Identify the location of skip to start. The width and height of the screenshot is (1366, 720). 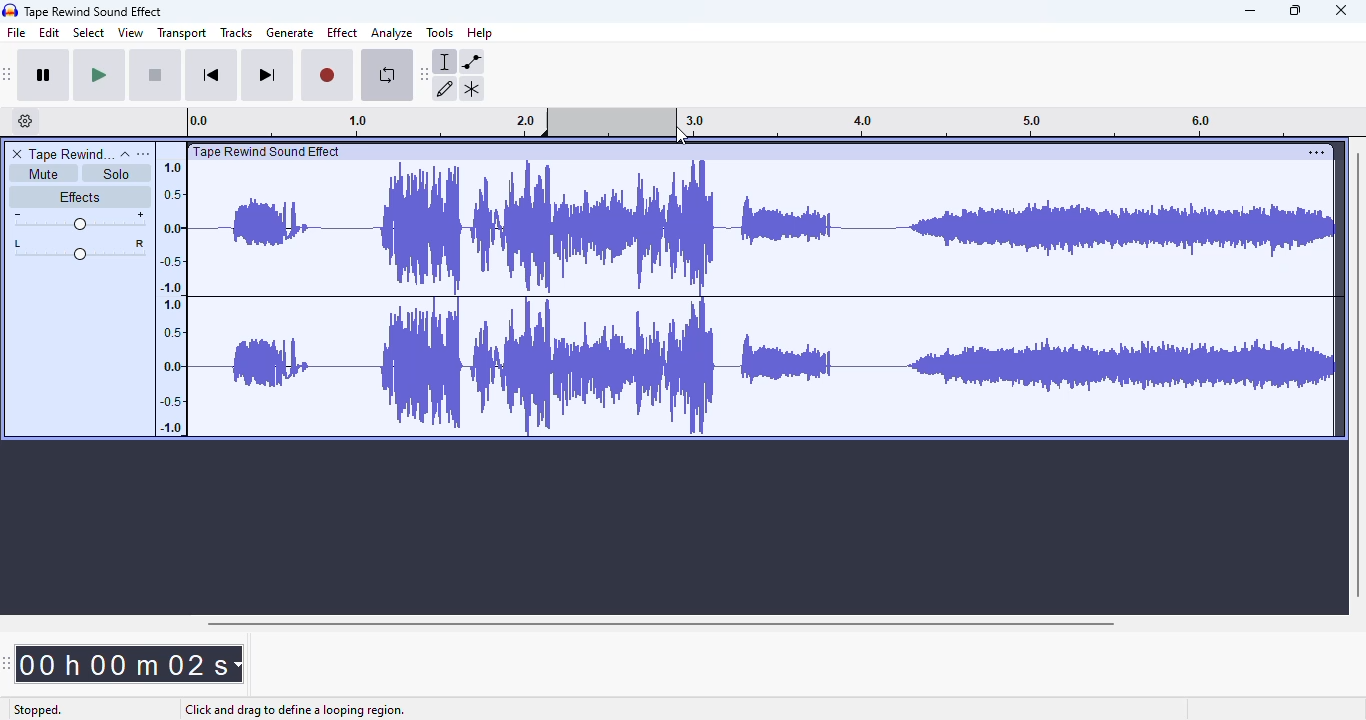
(212, 75).